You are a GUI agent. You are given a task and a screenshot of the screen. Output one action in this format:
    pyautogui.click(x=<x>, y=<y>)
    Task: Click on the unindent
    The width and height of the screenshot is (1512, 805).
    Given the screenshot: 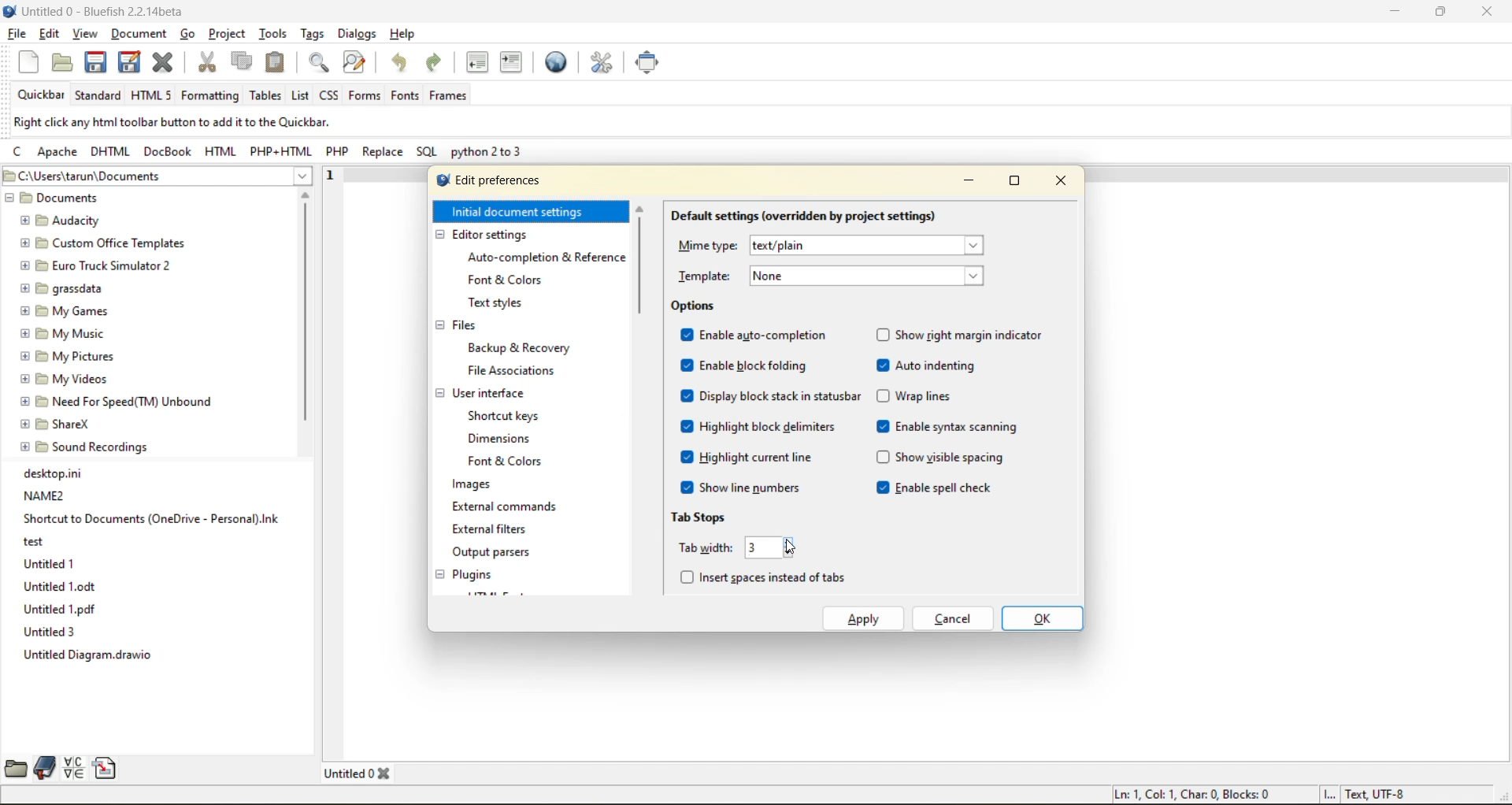 What is the action you would take?
    pyautogui.click(x=477, y=63)
    